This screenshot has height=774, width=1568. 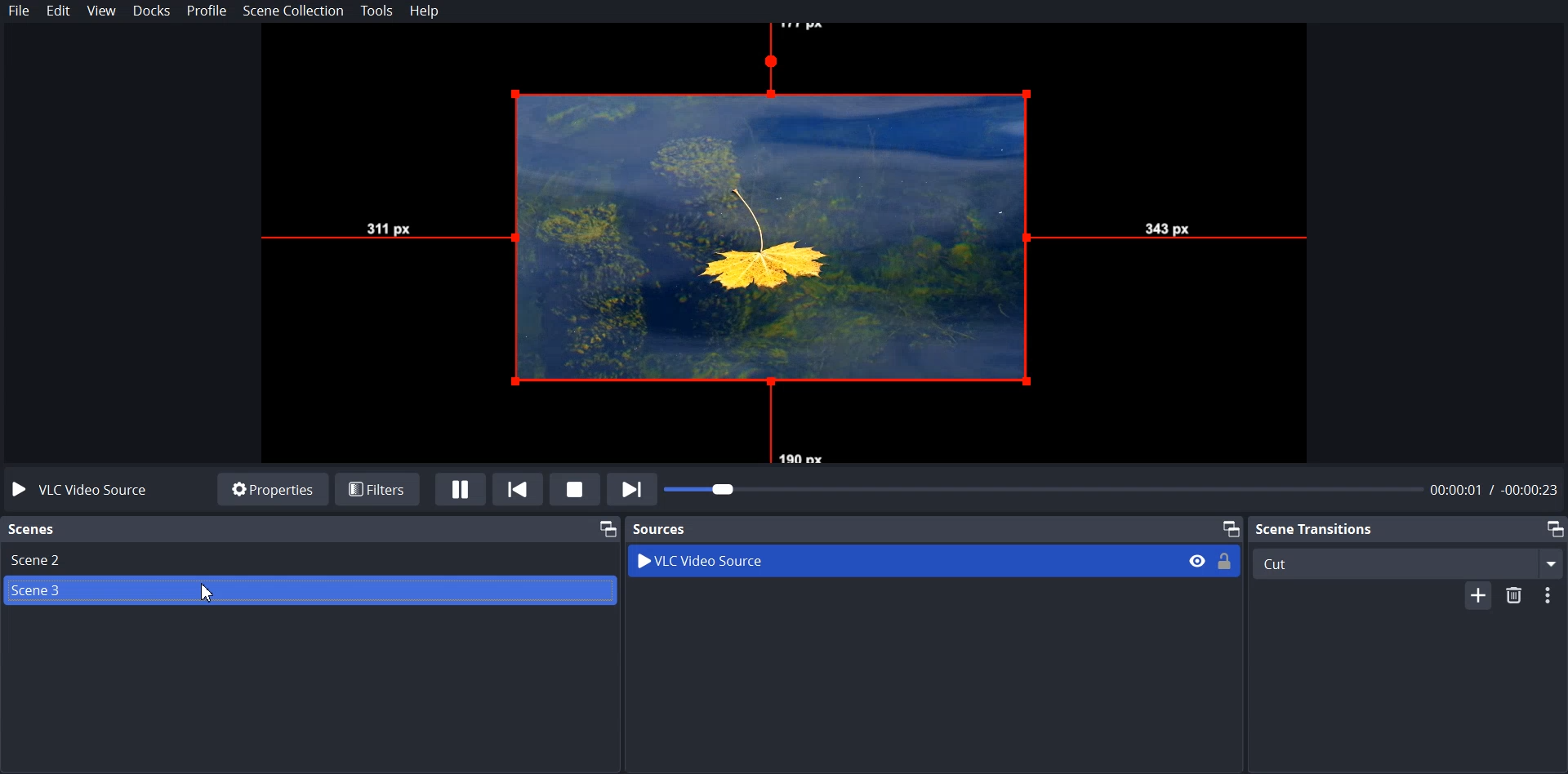 I want to click on Add file, so click(x=1472, y=596).